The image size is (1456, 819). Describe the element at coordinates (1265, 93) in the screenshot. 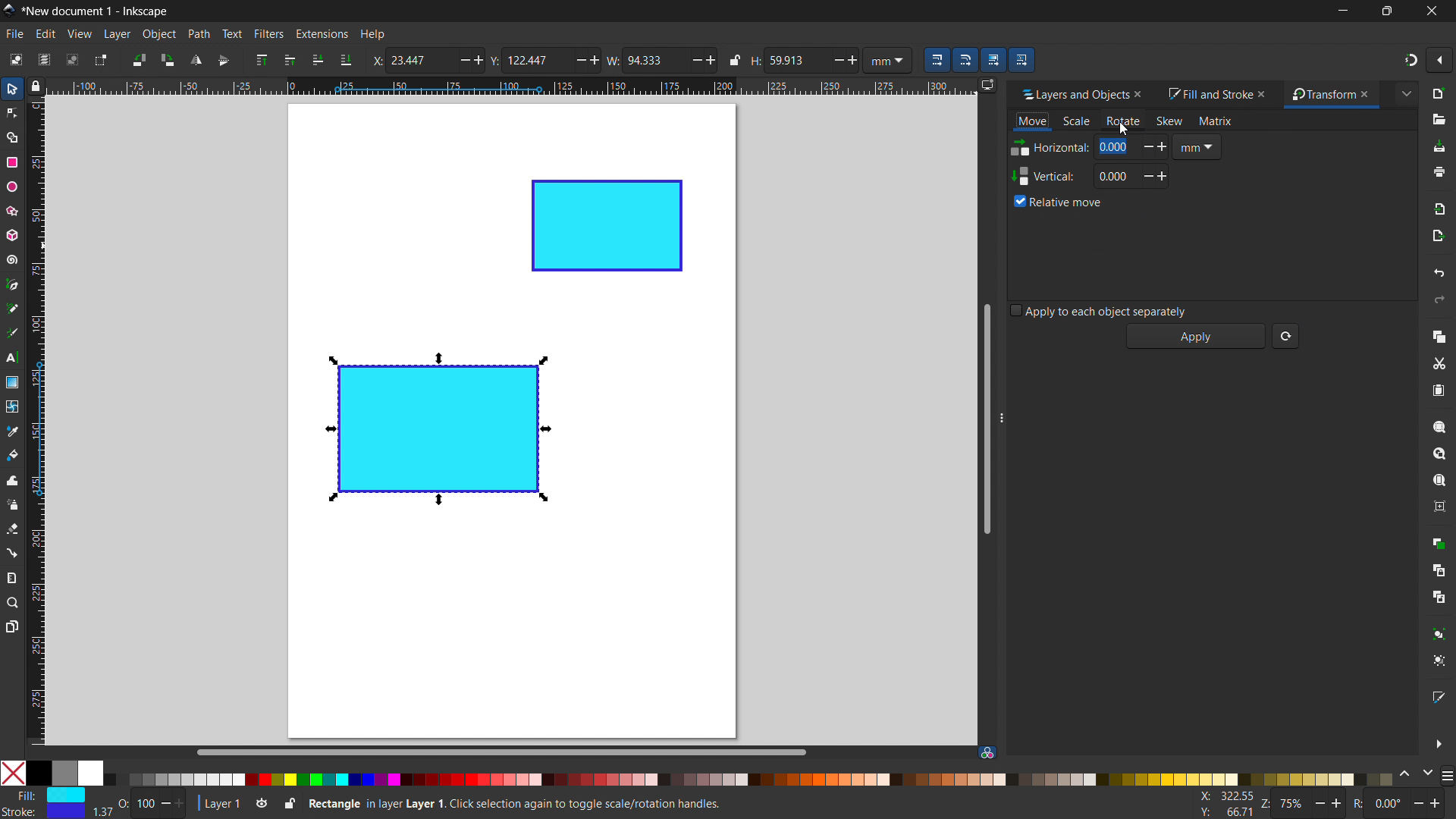

I see `close` at that location.